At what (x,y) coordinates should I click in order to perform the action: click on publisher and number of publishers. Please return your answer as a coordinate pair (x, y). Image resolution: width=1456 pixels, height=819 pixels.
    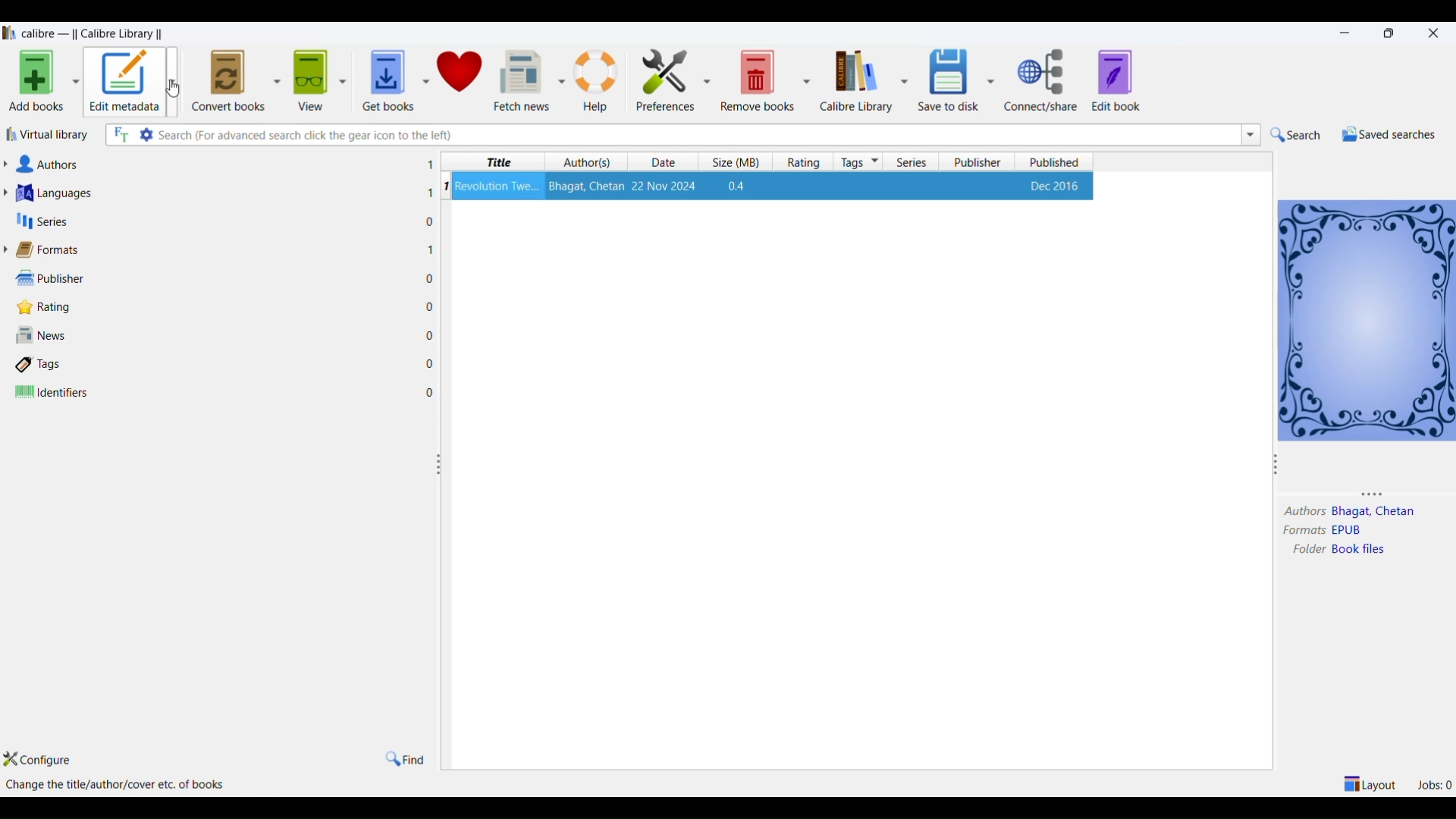
    Looking at the image, I should click on (52, 278).